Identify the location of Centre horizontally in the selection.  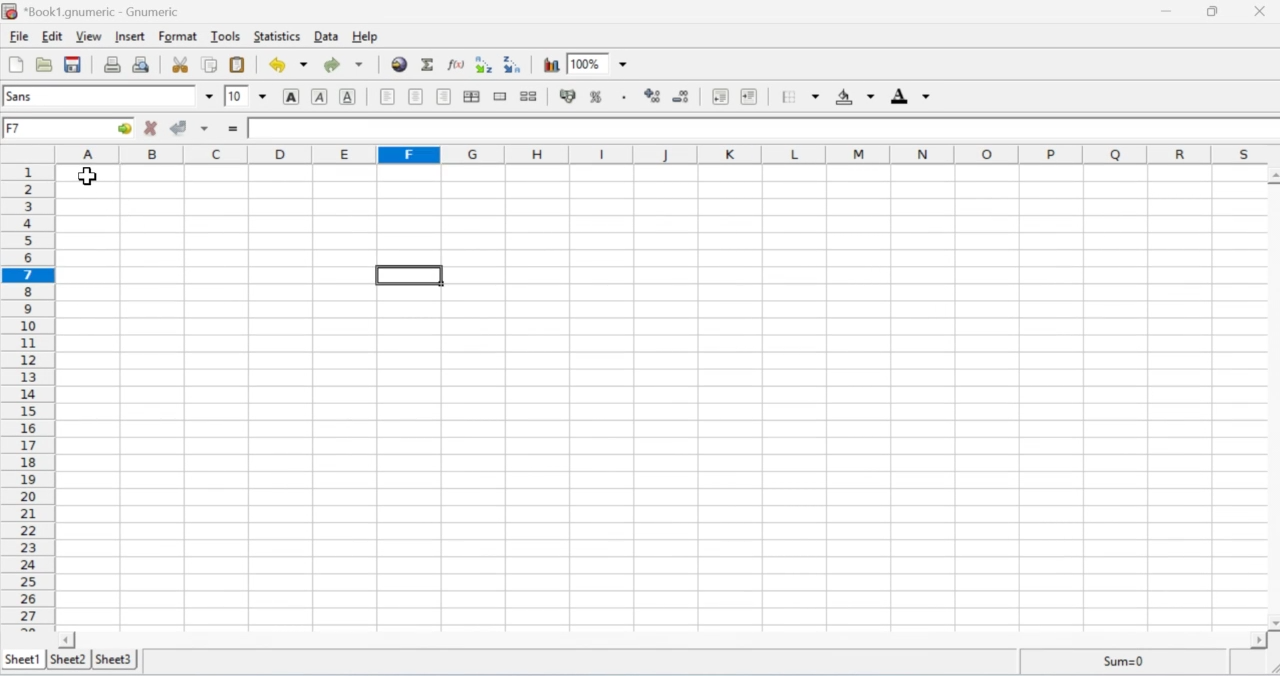
(474, 98).